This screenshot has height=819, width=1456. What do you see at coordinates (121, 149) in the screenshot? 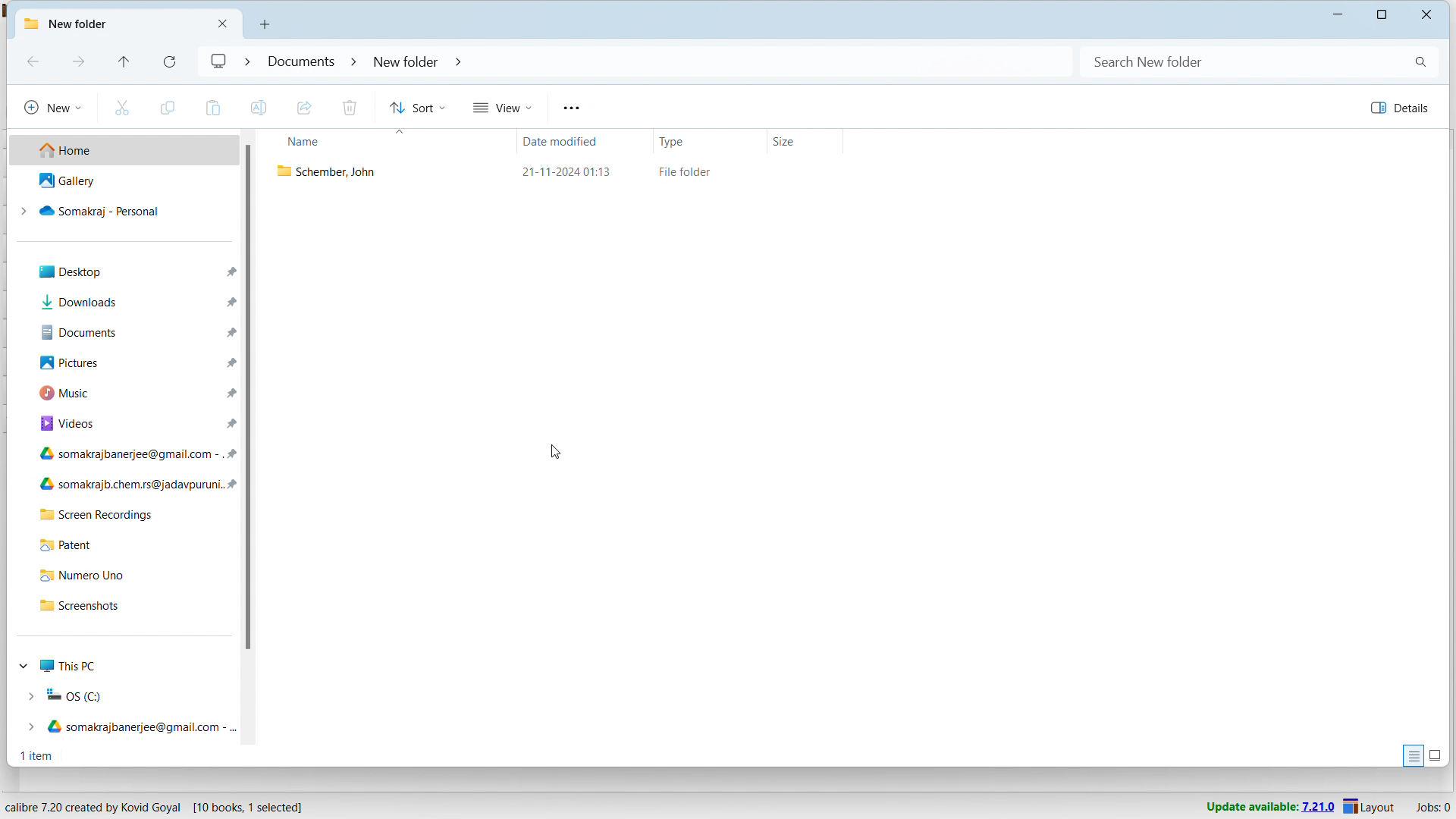
I see `home` at bounding box center [121, 149].